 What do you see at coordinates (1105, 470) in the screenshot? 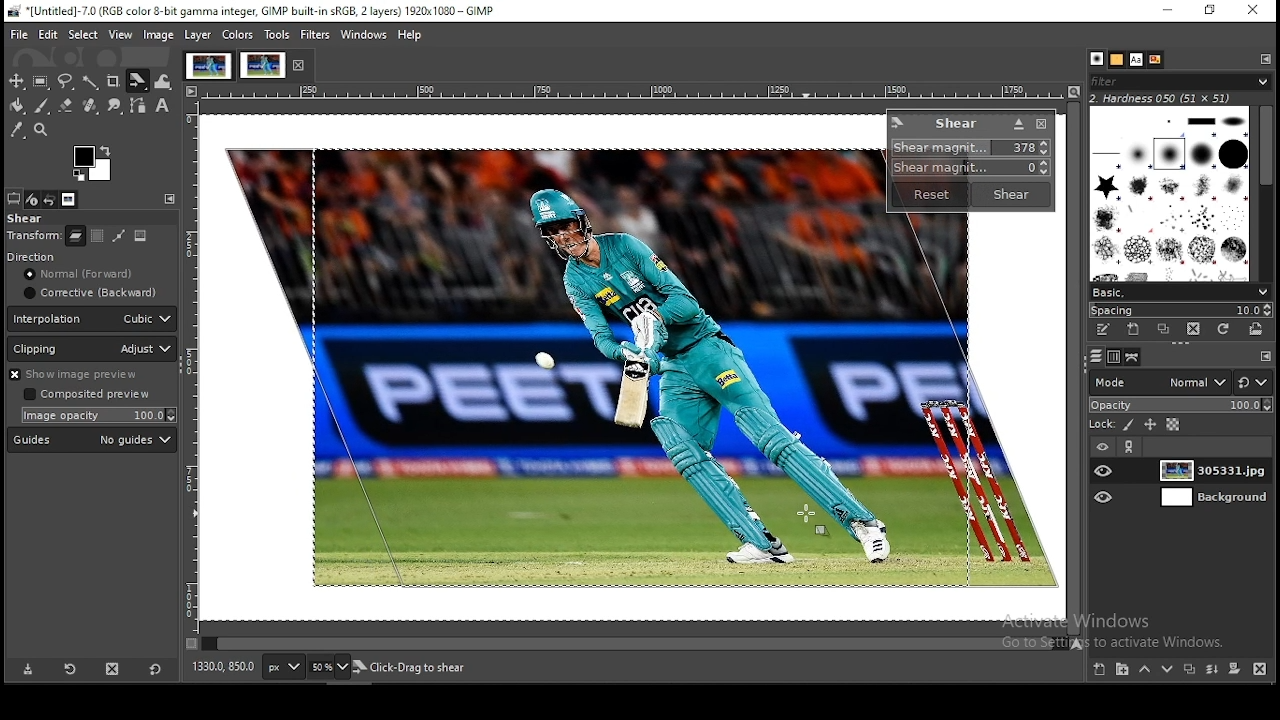
I see `layer visibility on/off` at bounding box center [1105, 470].